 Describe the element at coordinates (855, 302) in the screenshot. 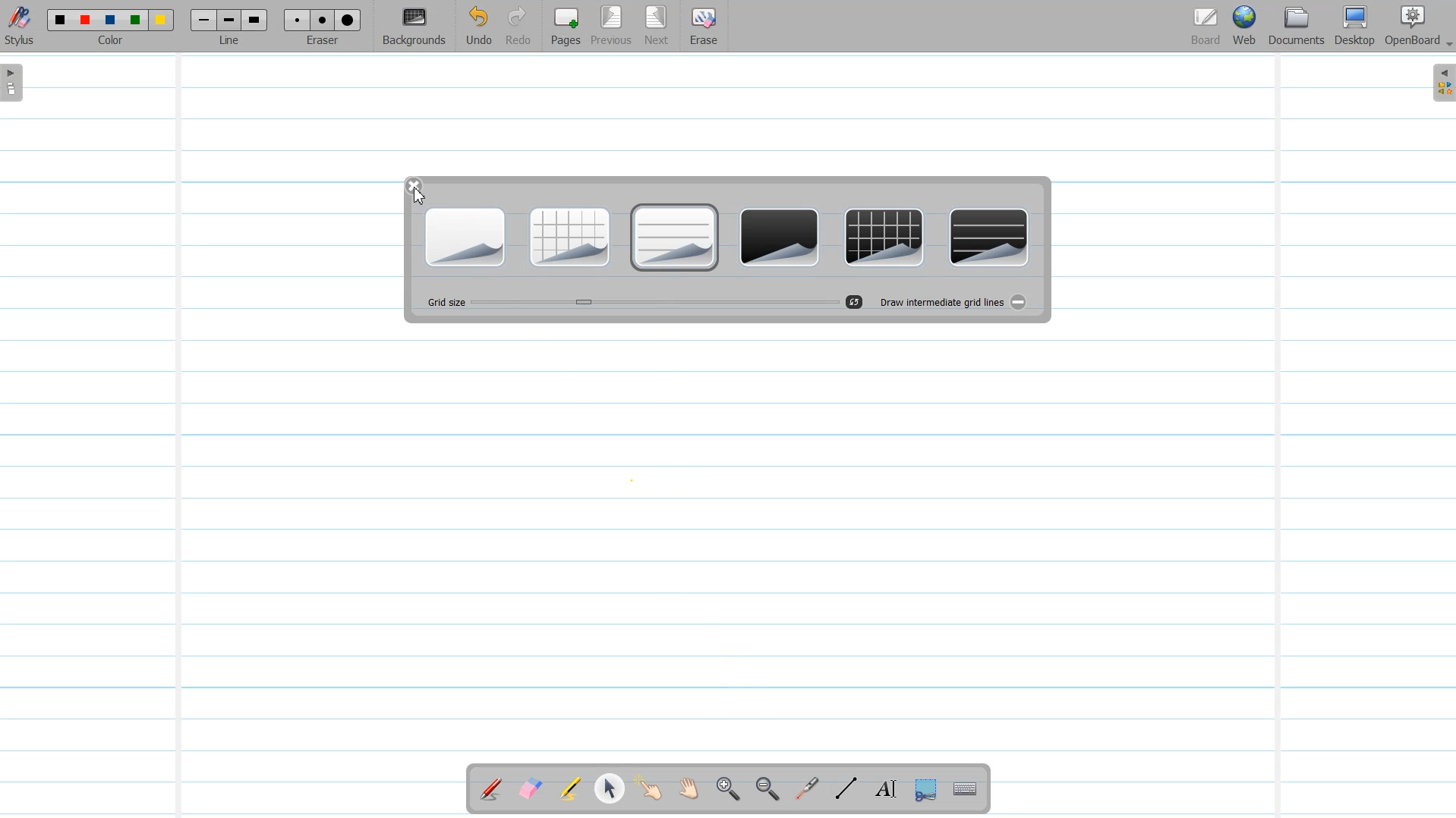

I see `Reset Grid size` at that location.